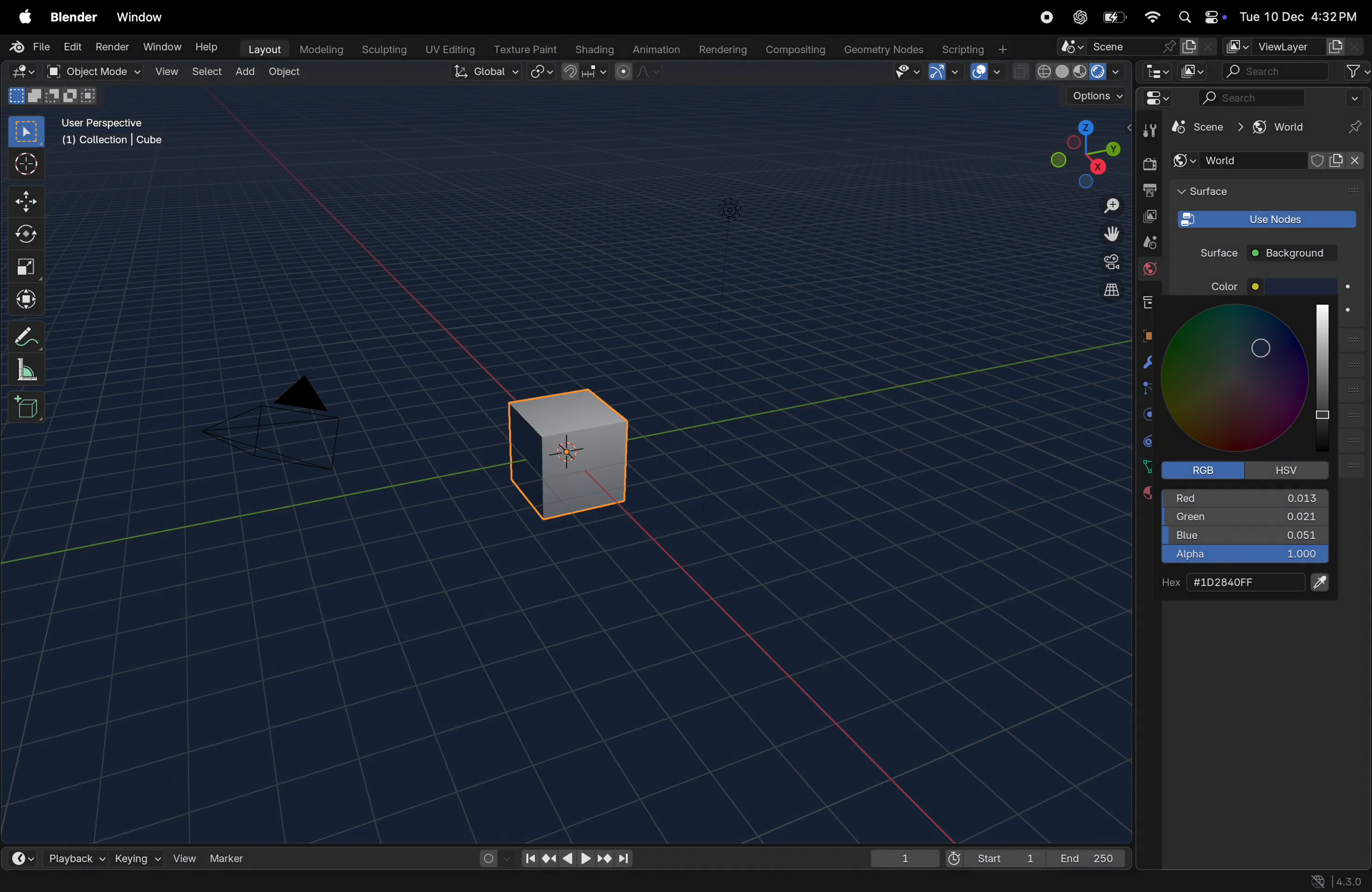  I want to click on apple widgets, so click(1199, 17).